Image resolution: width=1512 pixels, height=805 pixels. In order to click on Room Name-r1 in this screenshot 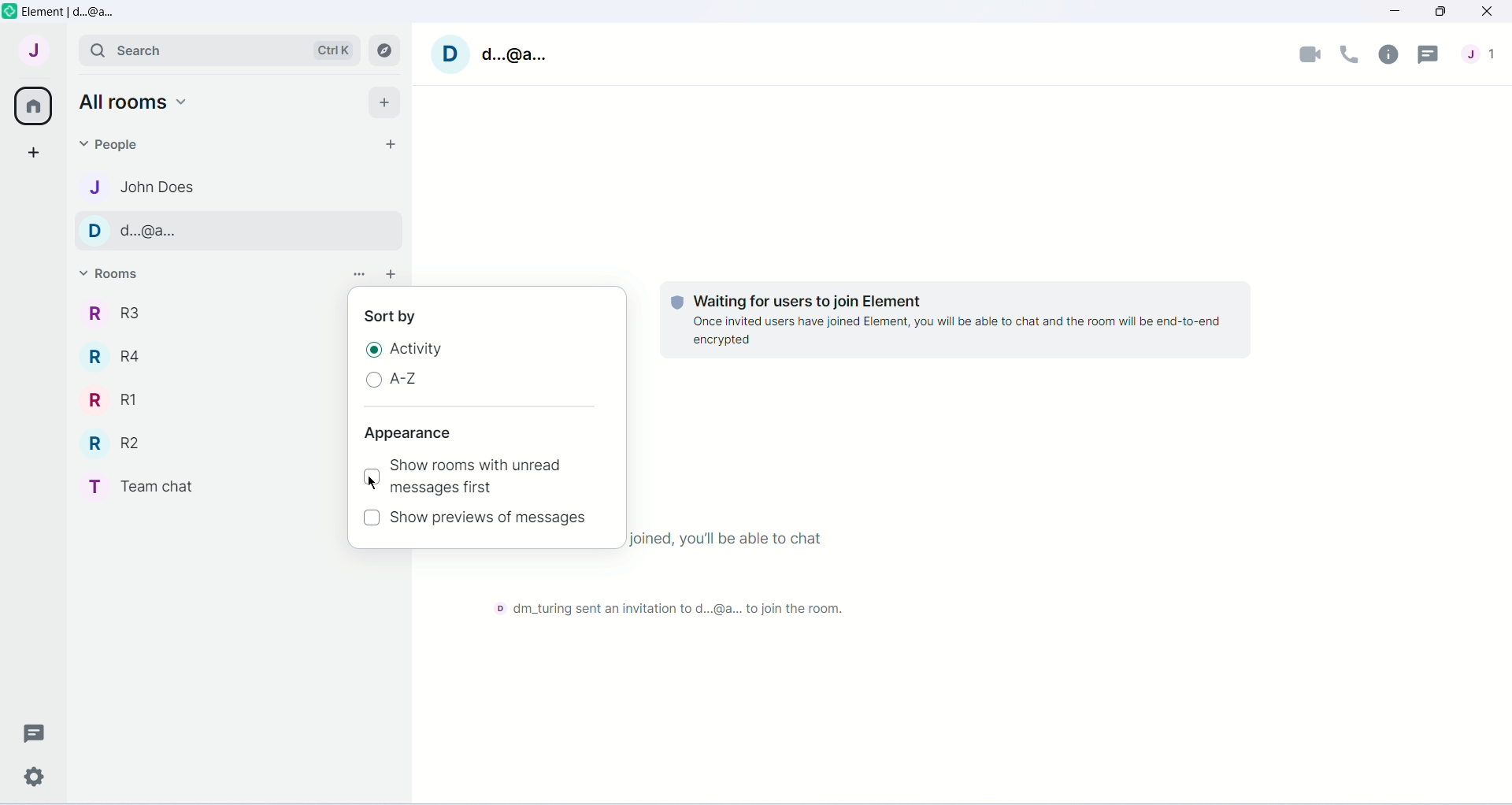, I will do `click(114, 401)`.